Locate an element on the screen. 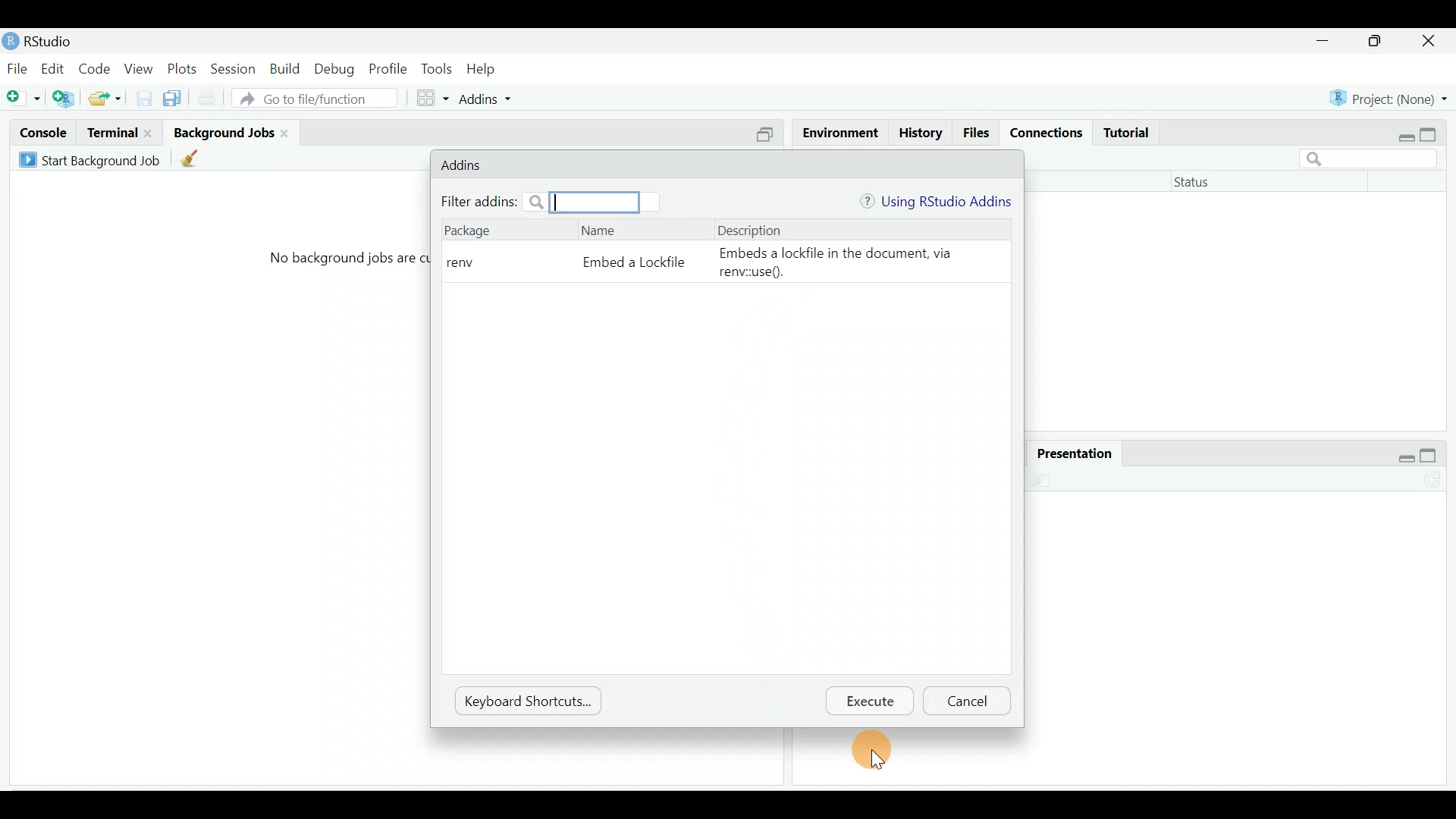  Console is located at coordinates (40, 134).